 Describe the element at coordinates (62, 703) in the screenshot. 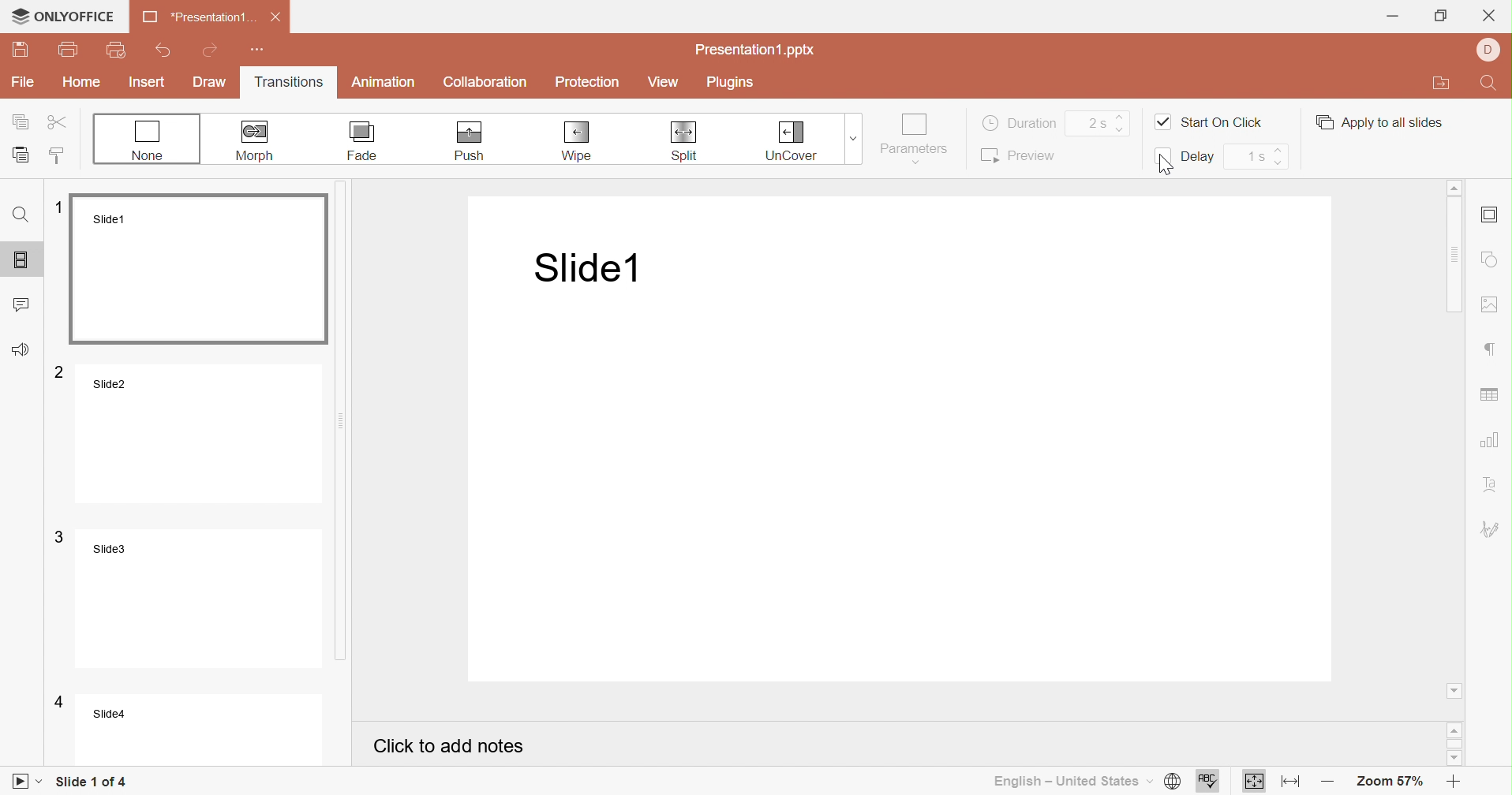

I see `4` at that location.